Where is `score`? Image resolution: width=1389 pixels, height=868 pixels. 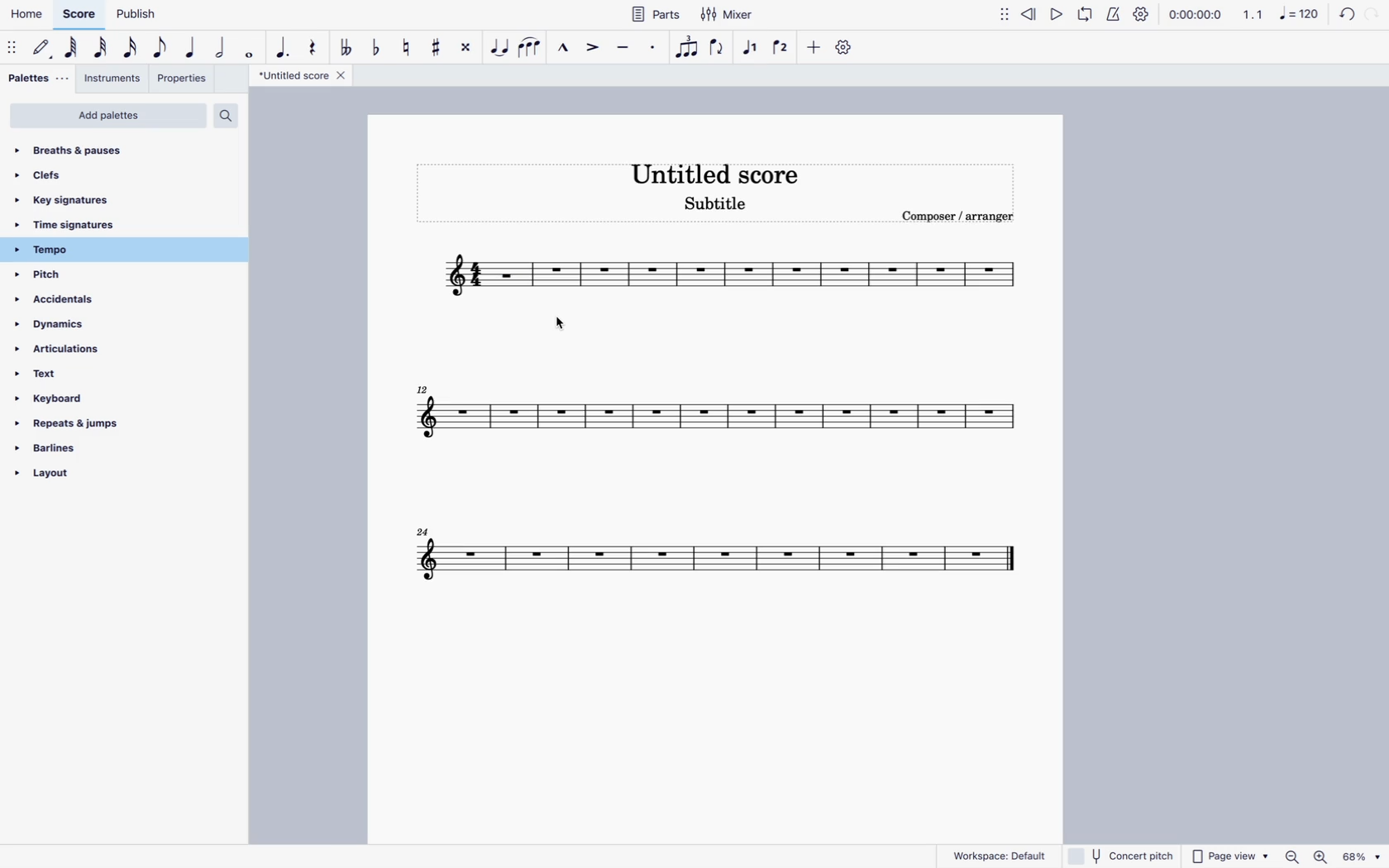
score is located at coordinates (80, 15).